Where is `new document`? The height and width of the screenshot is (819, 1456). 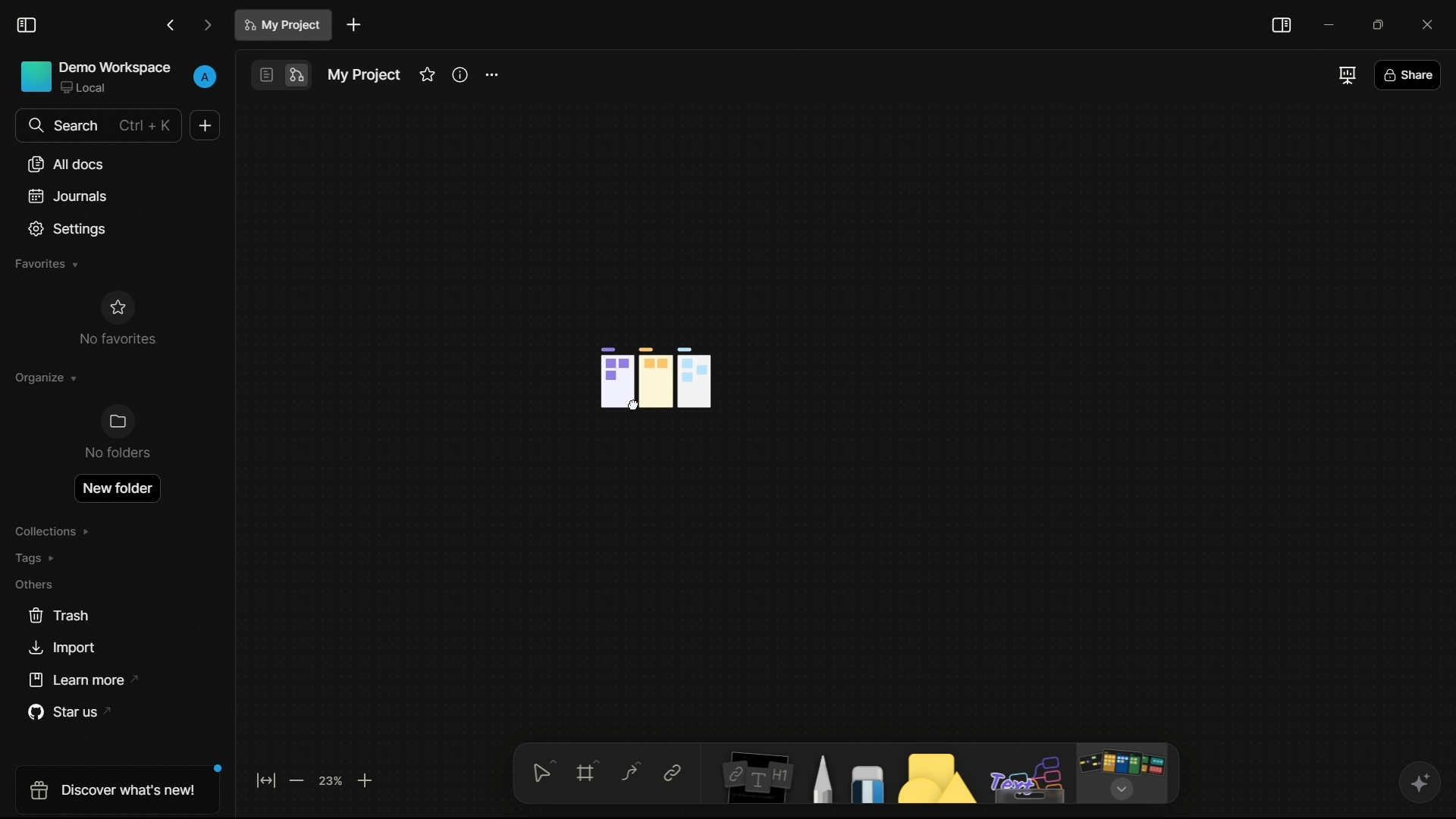 new document is located at coordinates (354, 25).